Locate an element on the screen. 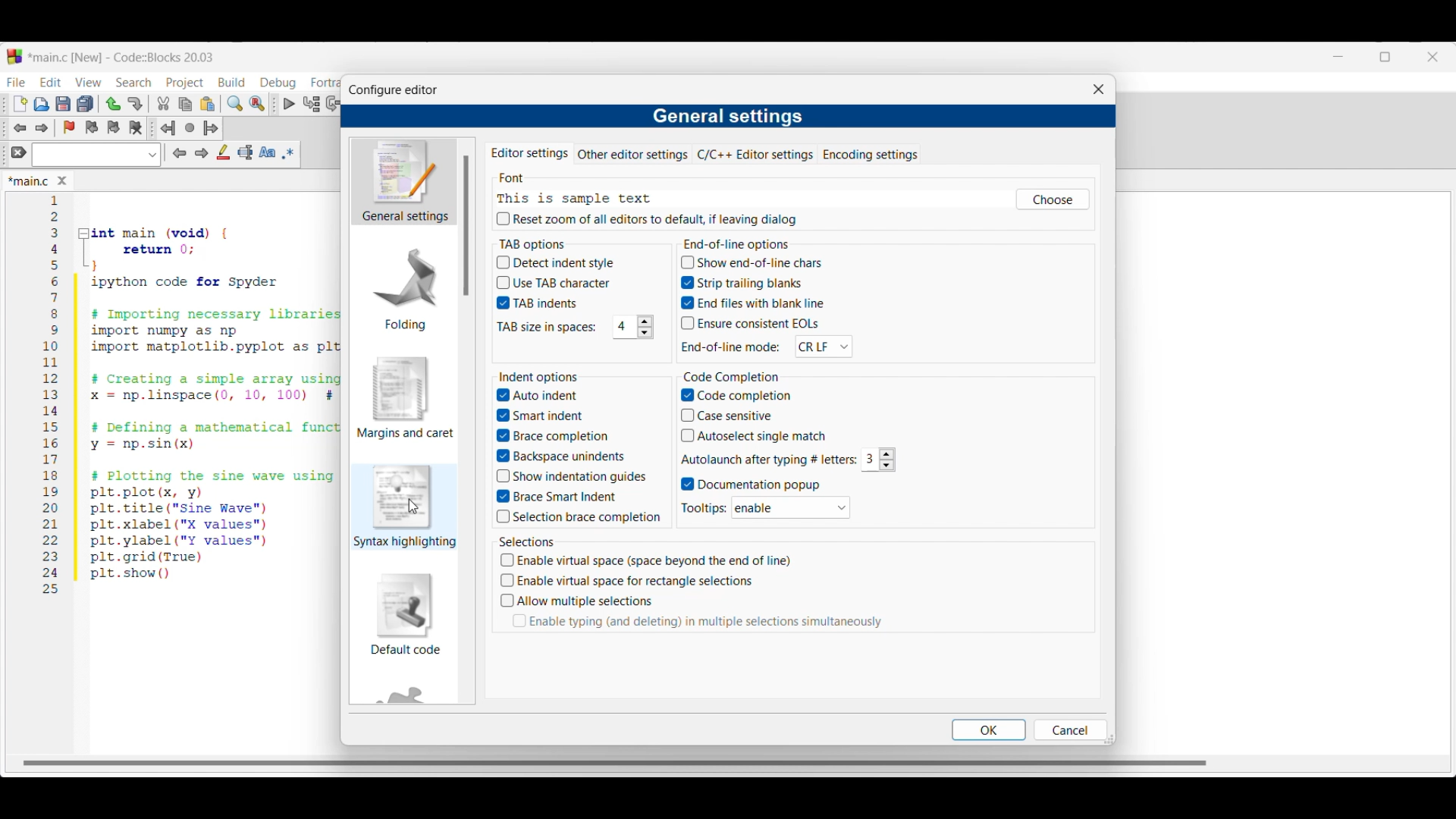  Next bookmark is located at coordinates (113, 127).